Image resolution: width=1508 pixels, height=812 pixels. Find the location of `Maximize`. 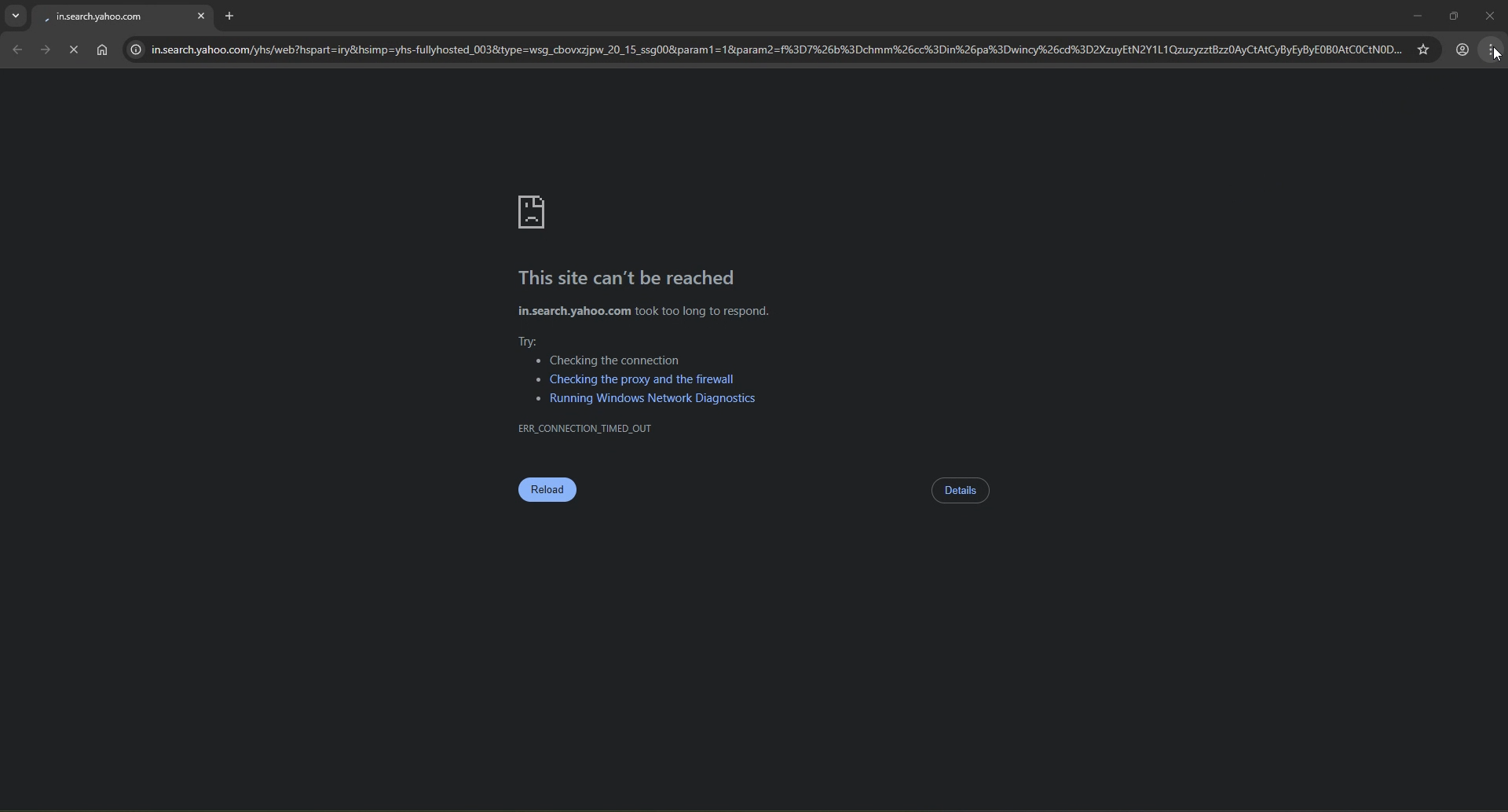

Maximize is located at coordinates (1451, 13).